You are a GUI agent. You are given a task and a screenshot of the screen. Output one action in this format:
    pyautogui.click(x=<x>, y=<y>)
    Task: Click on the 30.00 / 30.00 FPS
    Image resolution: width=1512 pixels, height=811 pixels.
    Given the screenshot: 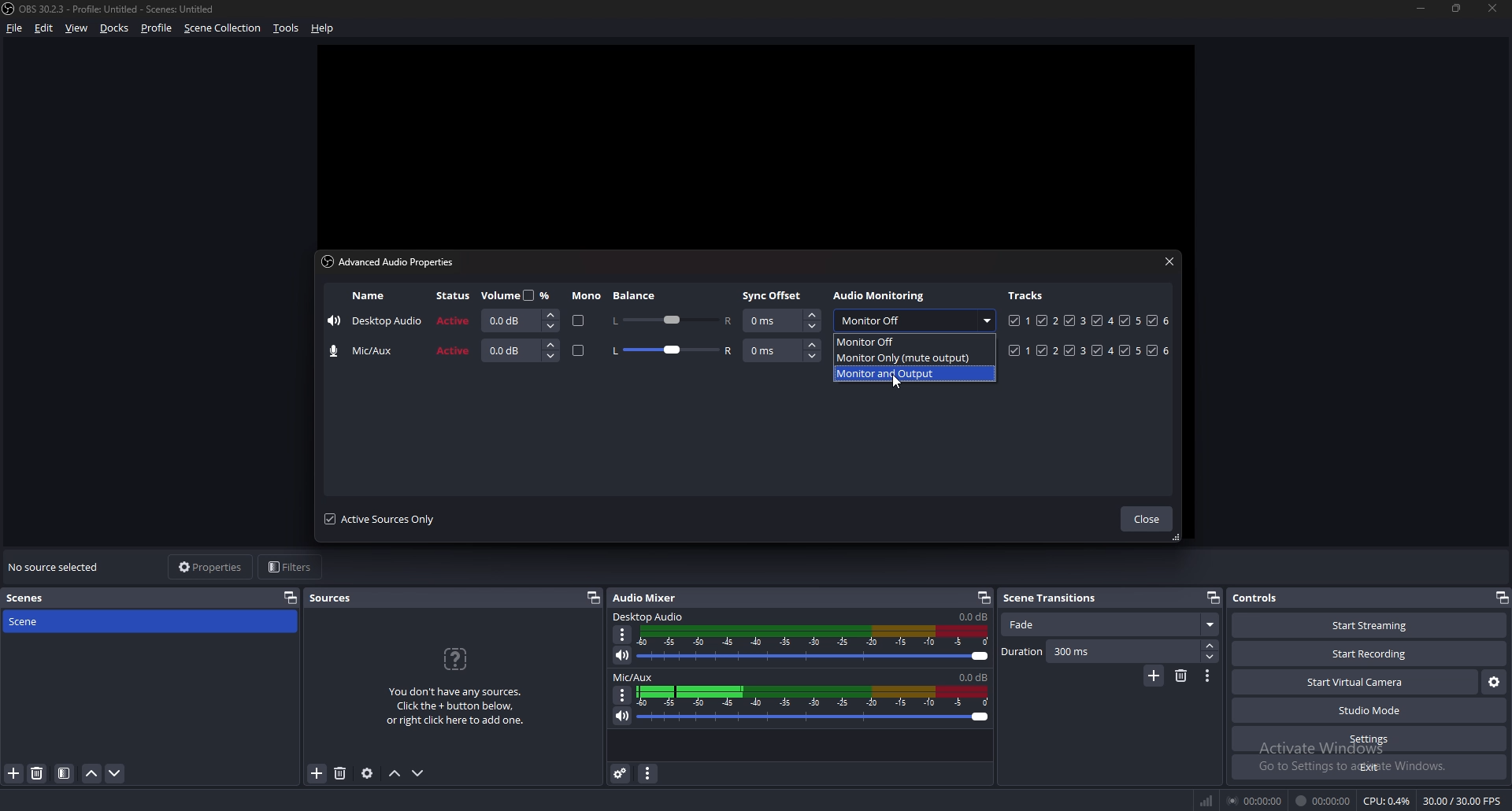 What is the action you would take?
    pyautogui.click(x=1461, y=801)
    